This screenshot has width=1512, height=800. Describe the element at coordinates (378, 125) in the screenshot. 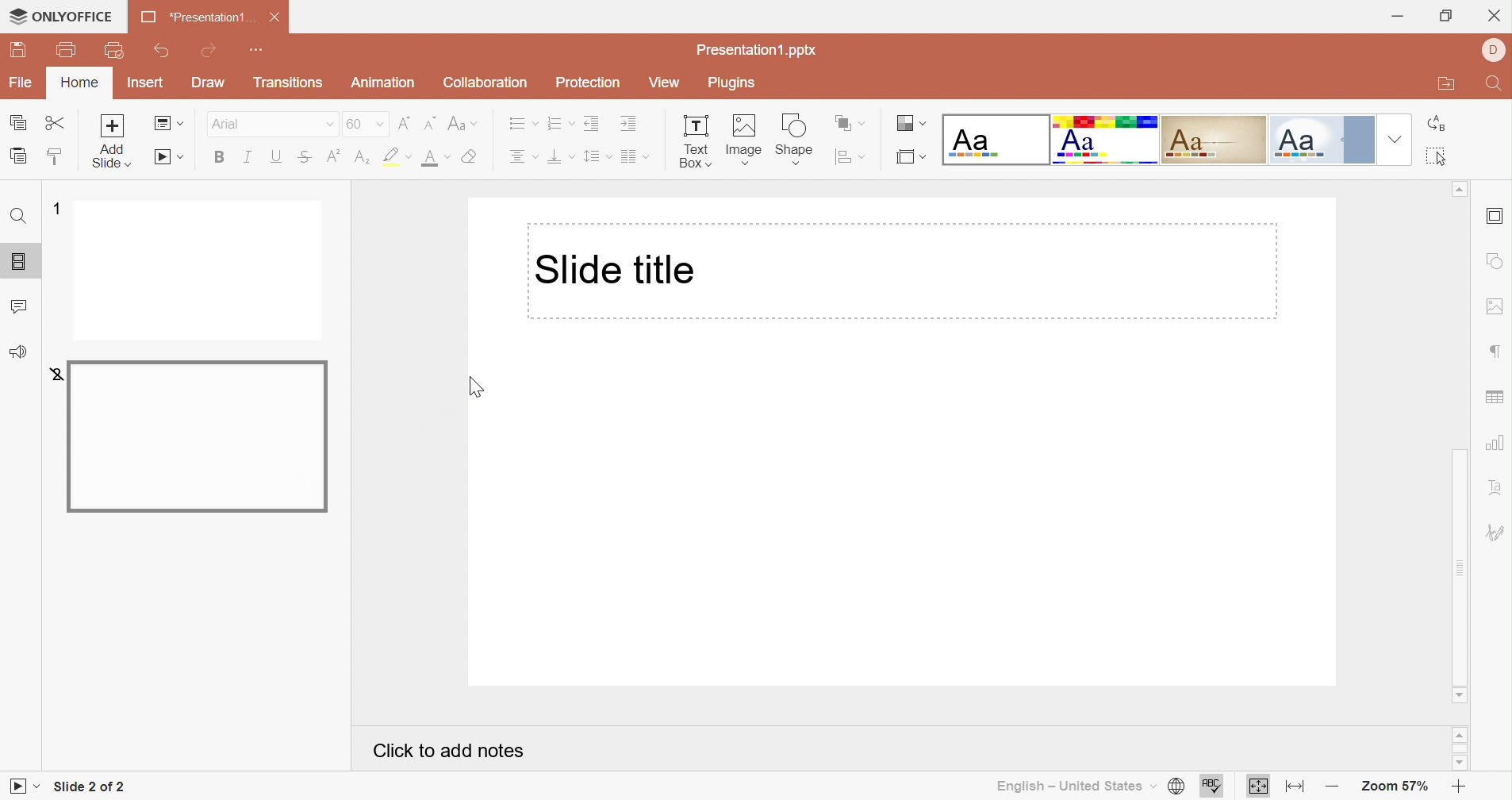

I see `Drop Down` at that location.